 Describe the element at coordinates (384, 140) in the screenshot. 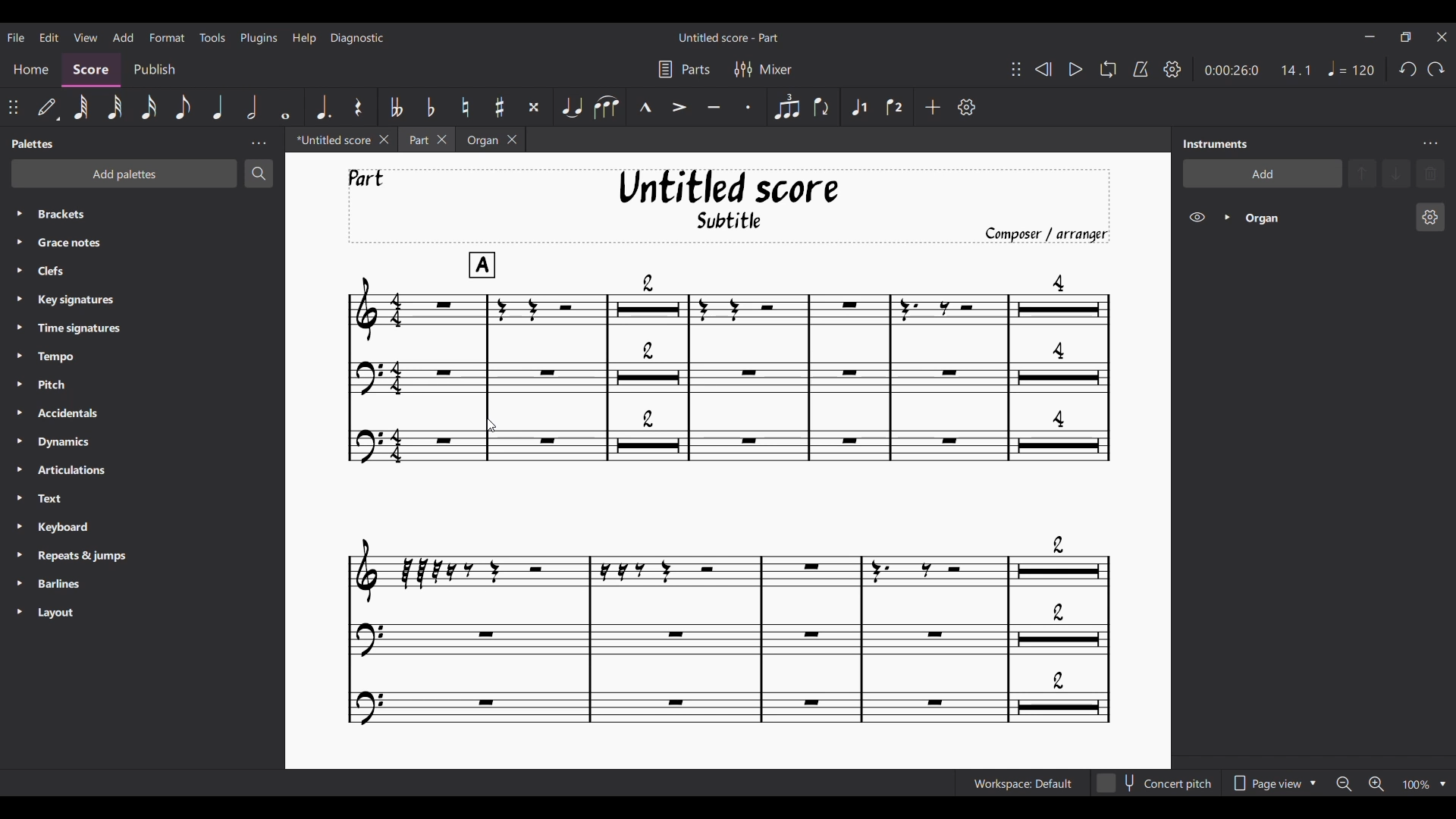

I see `Close untitled tab` at that location.